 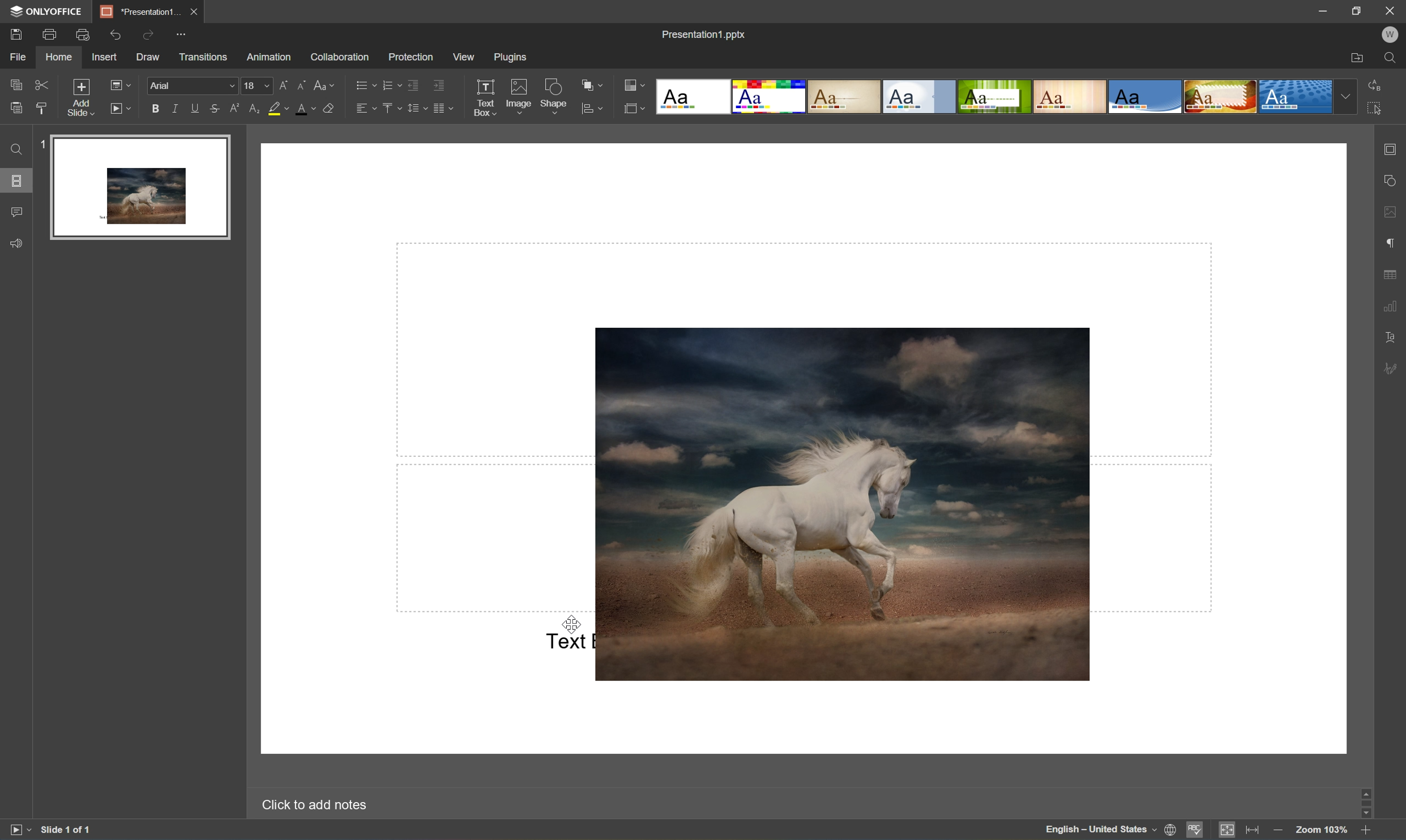 I want to click on Customize quick access toolbar, so click(x=182, y=36).